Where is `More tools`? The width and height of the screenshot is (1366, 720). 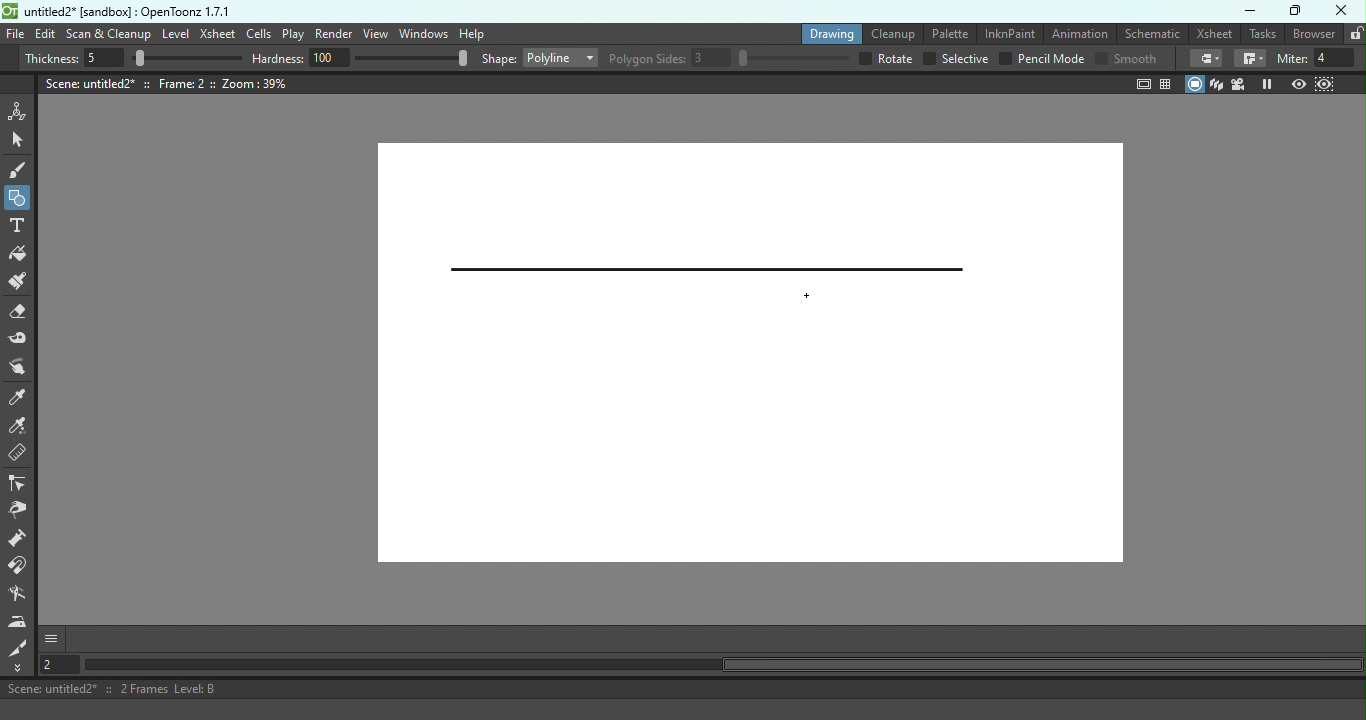 More tools is located at coordinates (21, 668).